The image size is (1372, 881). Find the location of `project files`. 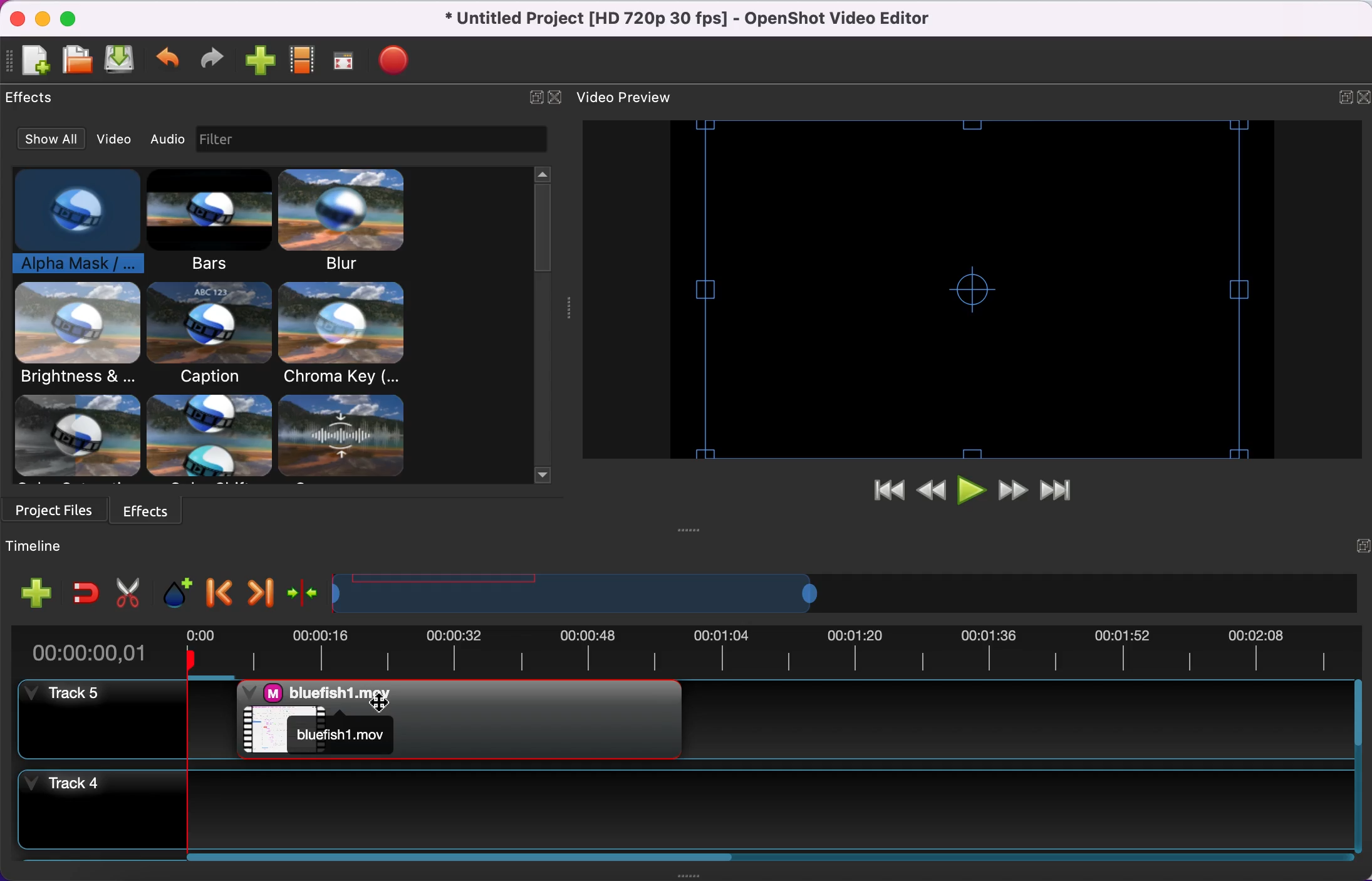

project files is located at coordinates (56, 513).